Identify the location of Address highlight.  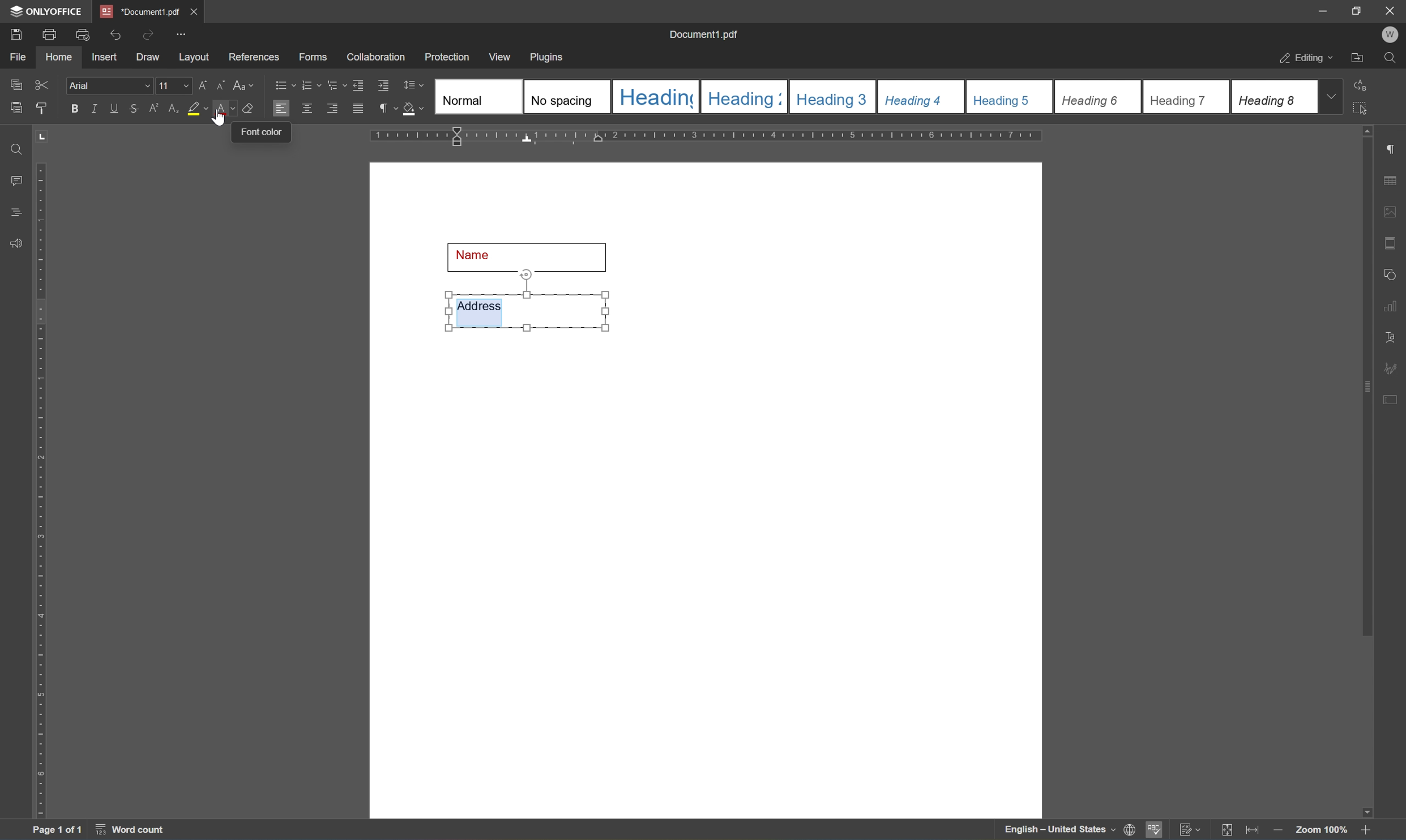
(525, 301).